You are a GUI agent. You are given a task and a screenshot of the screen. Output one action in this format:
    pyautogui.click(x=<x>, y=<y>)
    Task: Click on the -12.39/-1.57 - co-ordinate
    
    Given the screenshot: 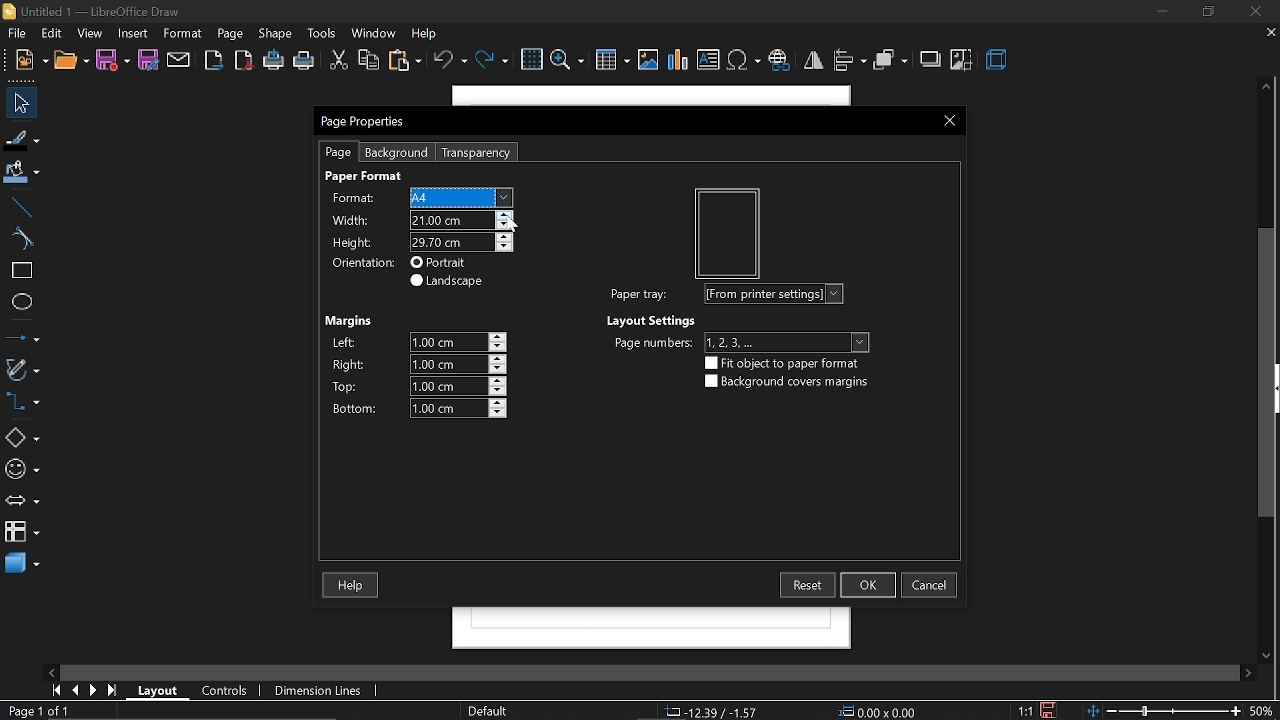 What is the action you would take?
    pyautogui.click(x=714, y=710)
    